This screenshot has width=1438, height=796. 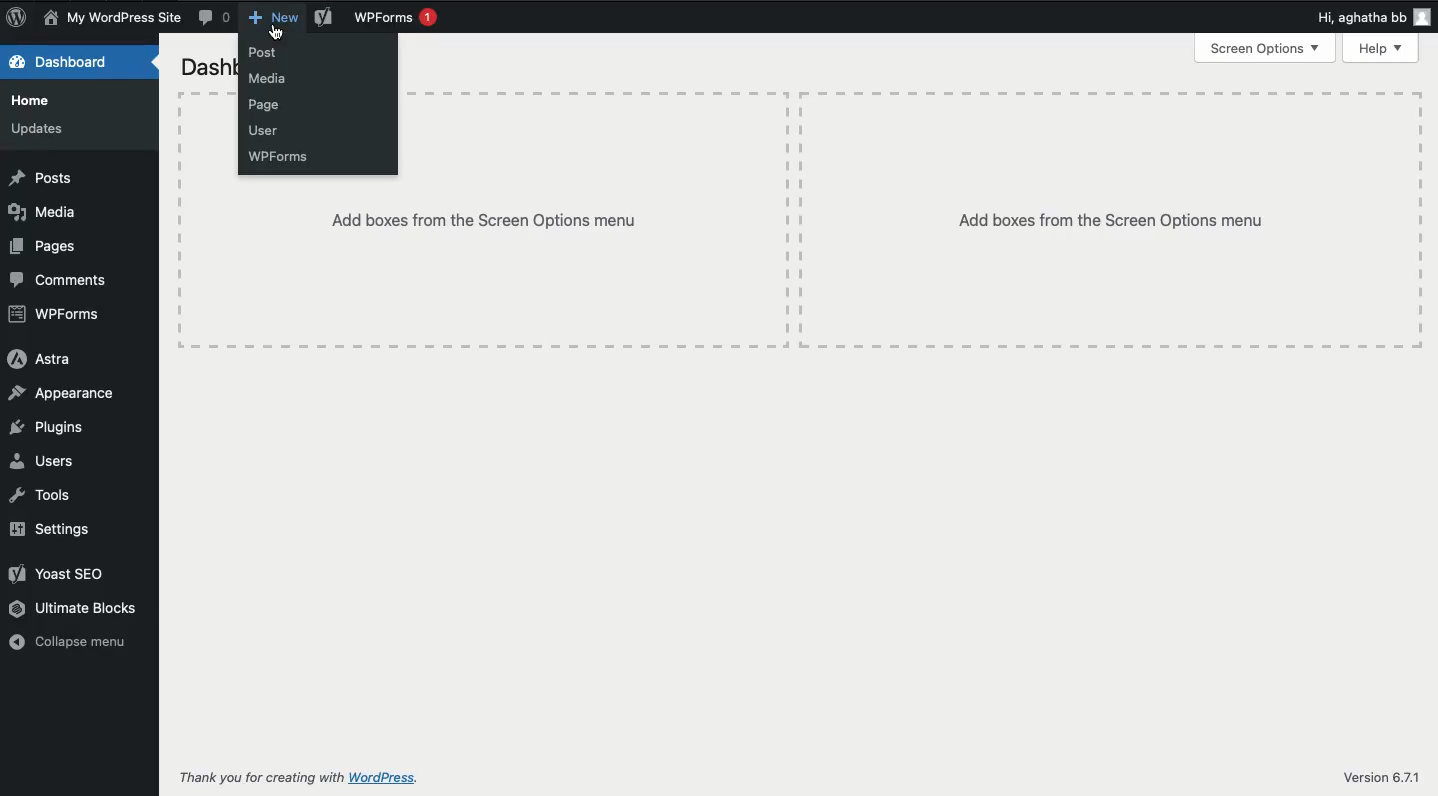 What do you see at coordinates (282, 156) in the screenshot?
I see `WPForms` at bounding box center [282, 156].